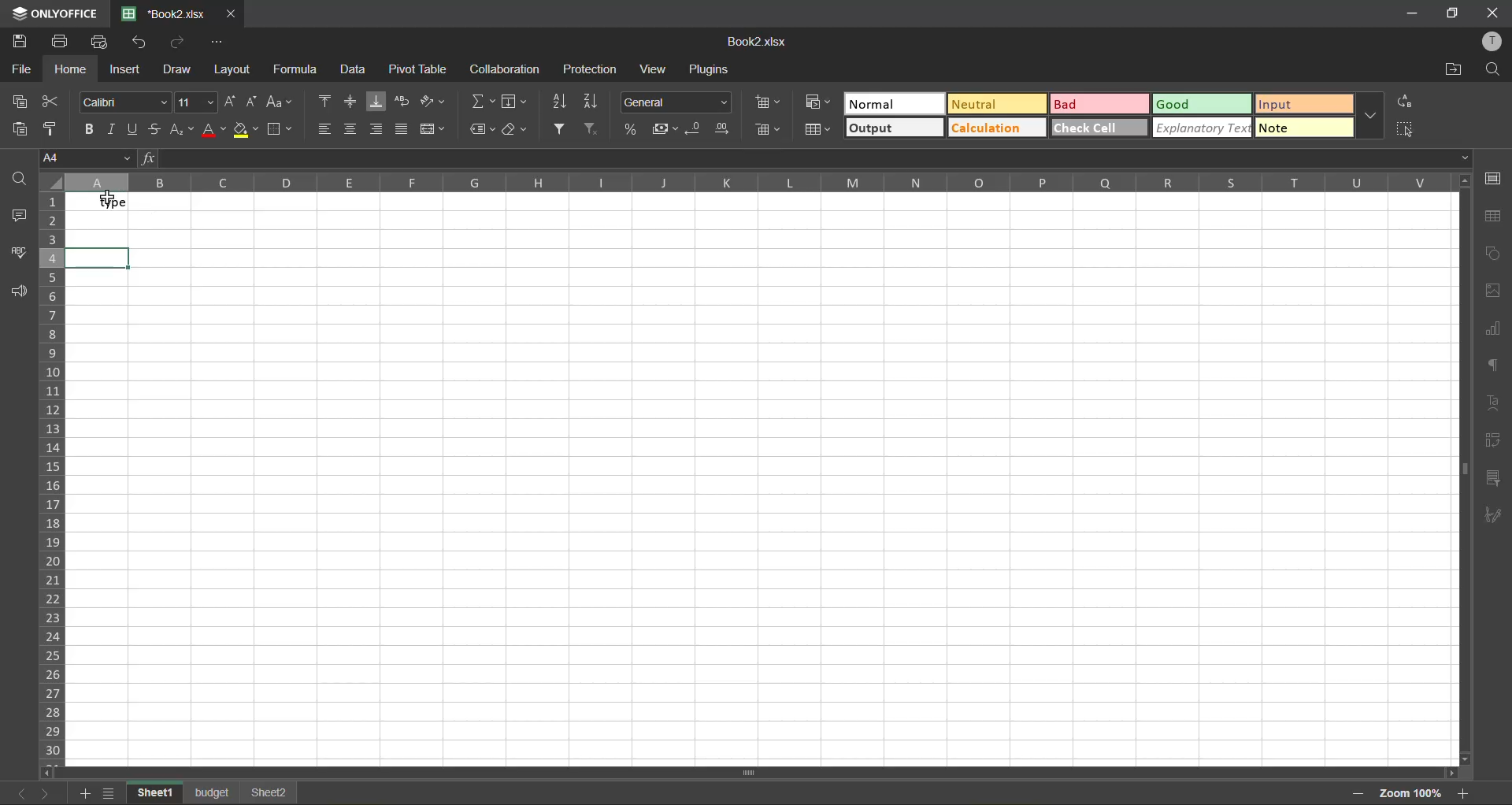  I want to click on layout, so click(235, 71).